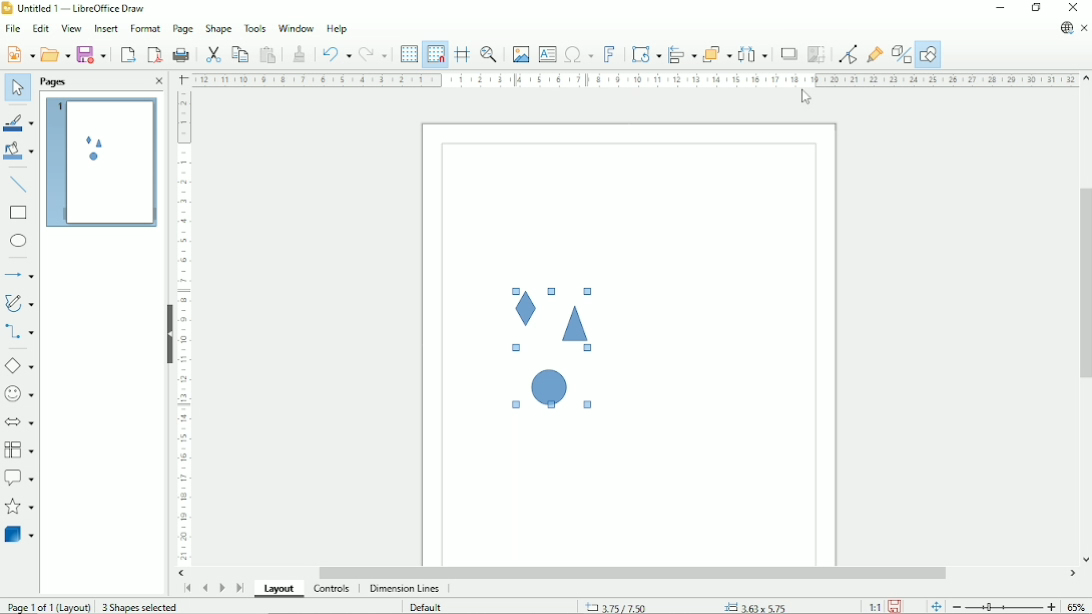 The image size is (1092, 614). Describe the element at coordinates (873, 607) in the screenshot. I see `Scaling factor` at that location.